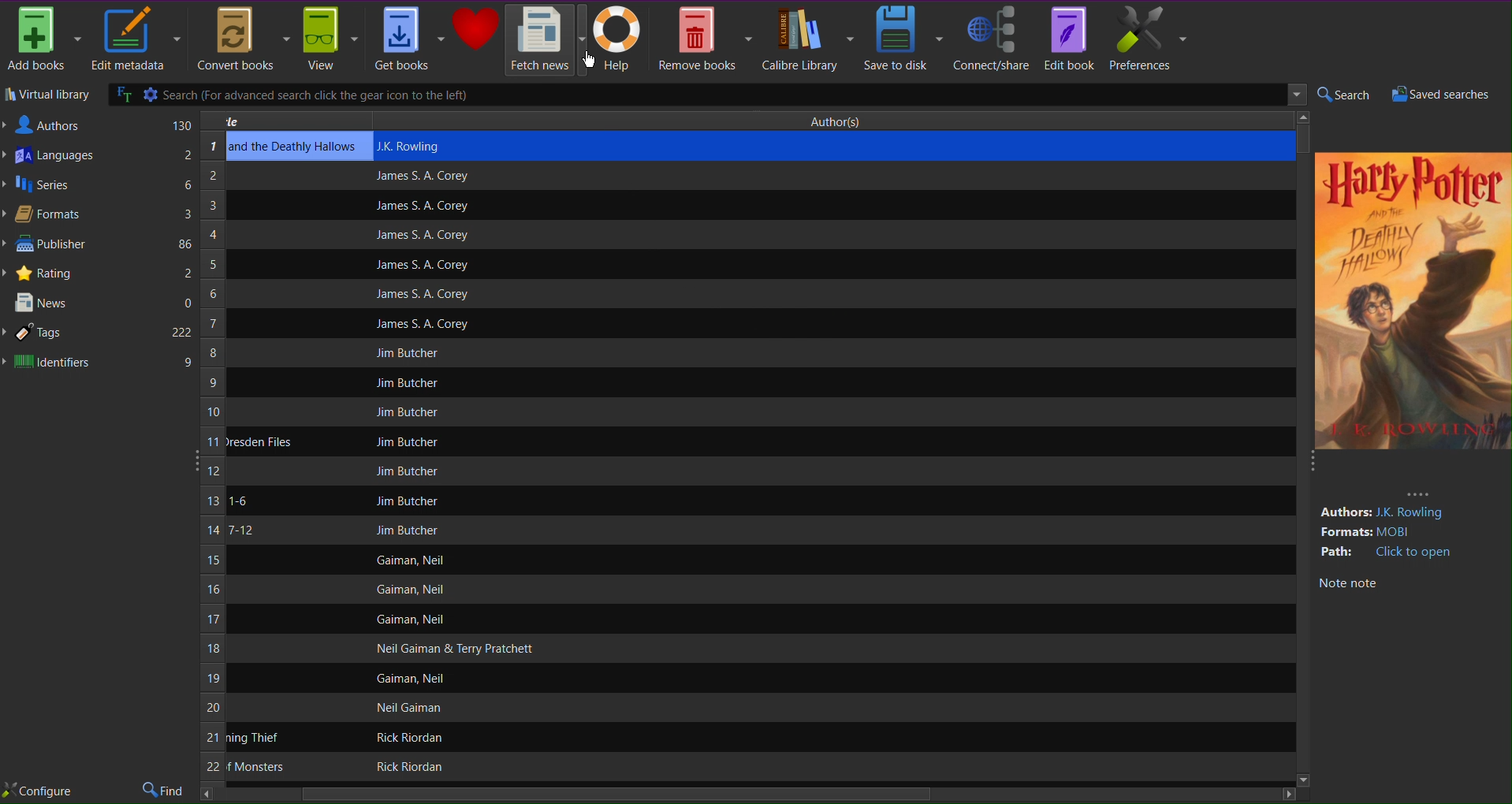  Describe the element at coordinates (662, 95) in the screenshot. I see `Search (For advanced search click the gear icon to the left)` at that location.